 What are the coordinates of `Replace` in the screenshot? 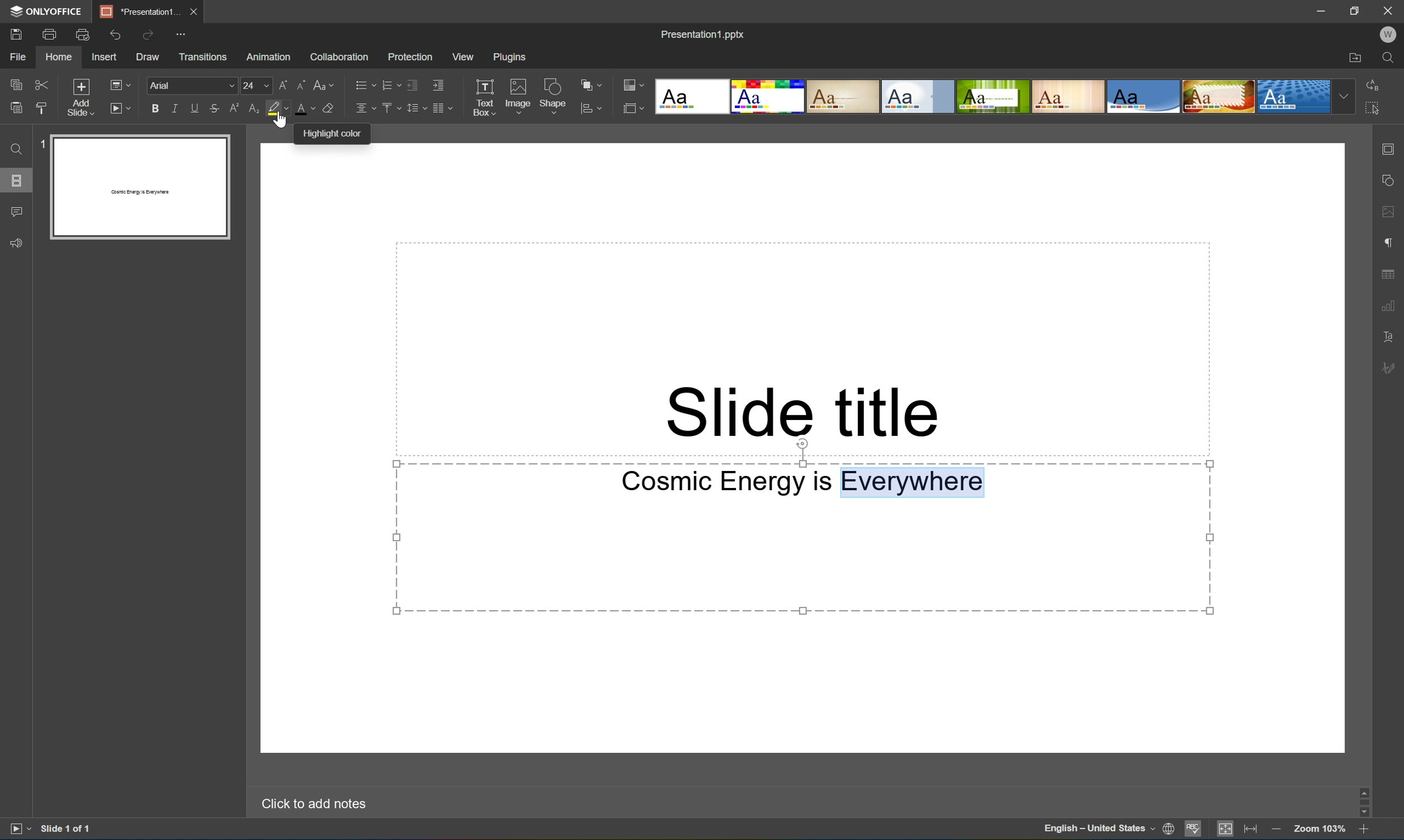 It's located at (1373, 84).